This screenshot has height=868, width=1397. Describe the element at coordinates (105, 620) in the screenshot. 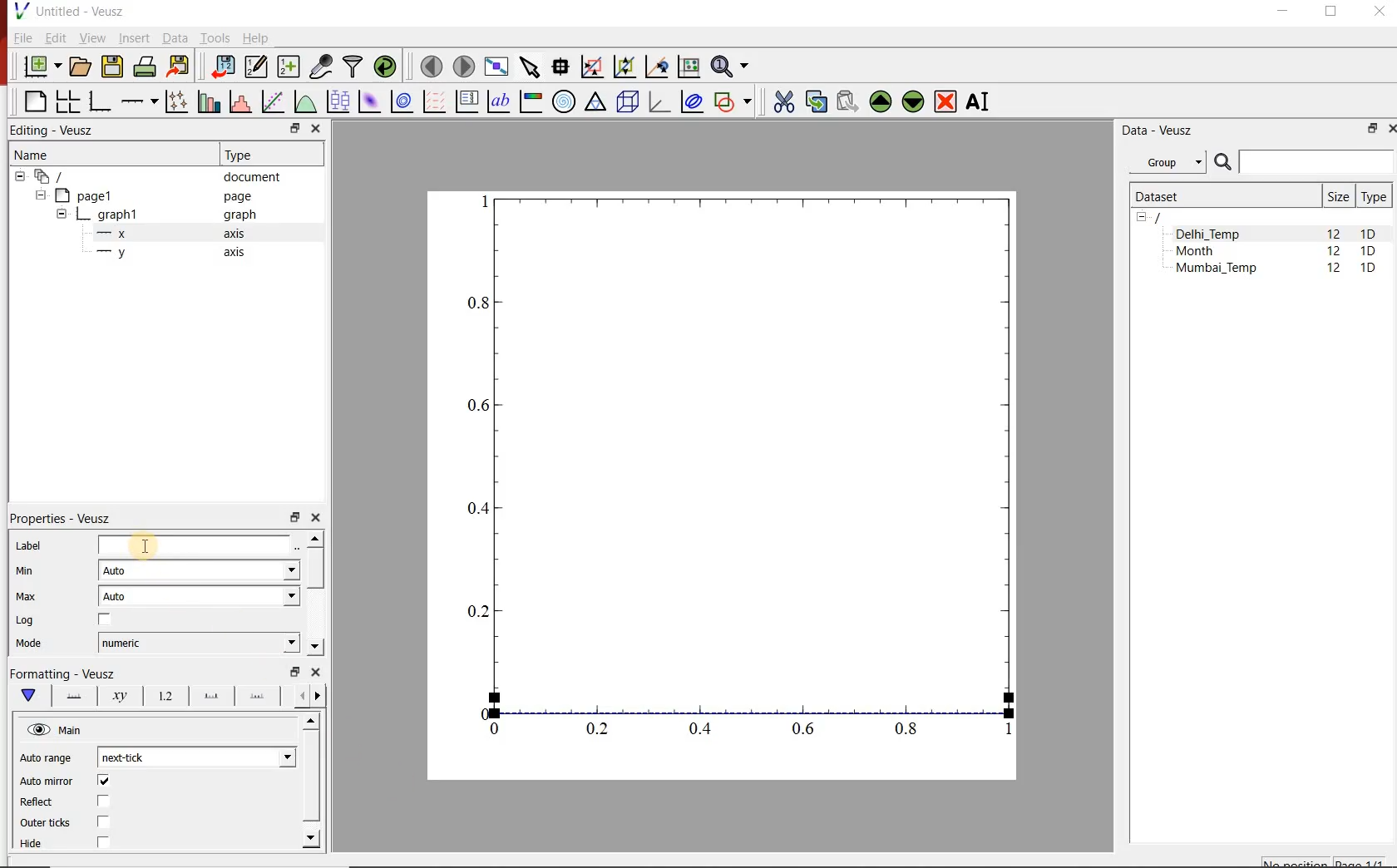

I see `check/uncheck` at that location.